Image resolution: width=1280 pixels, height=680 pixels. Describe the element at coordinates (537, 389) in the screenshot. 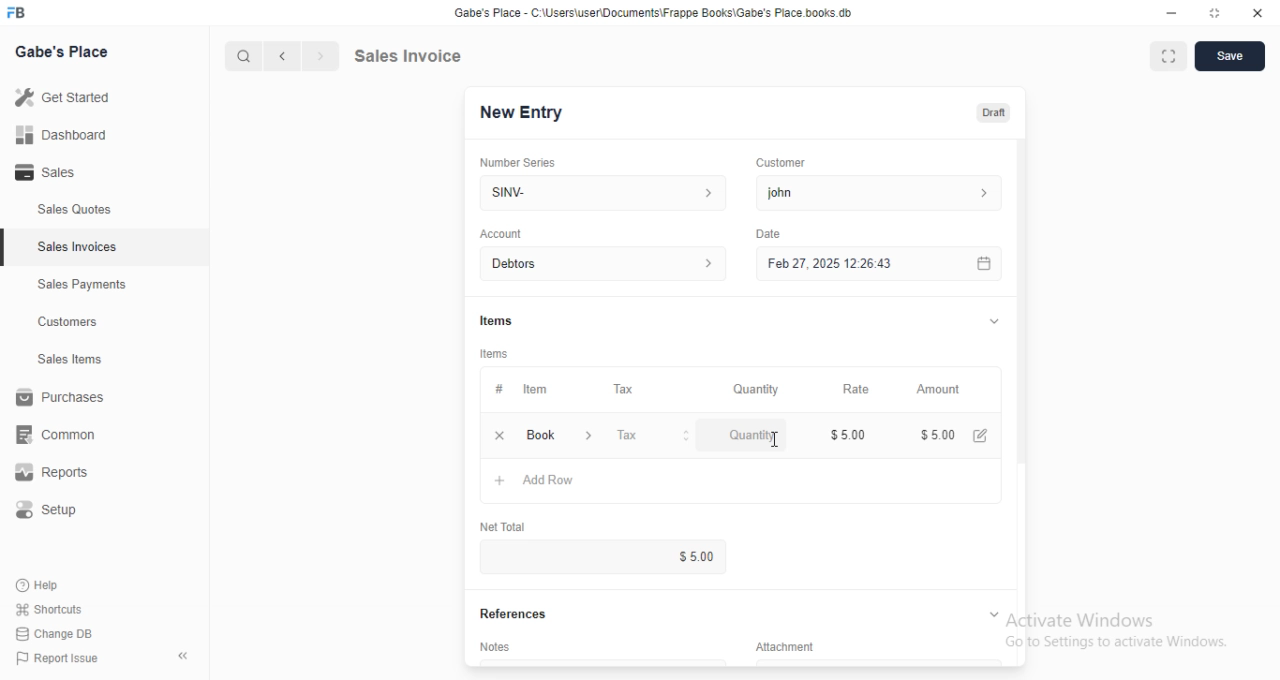

I see ` item` at that location.